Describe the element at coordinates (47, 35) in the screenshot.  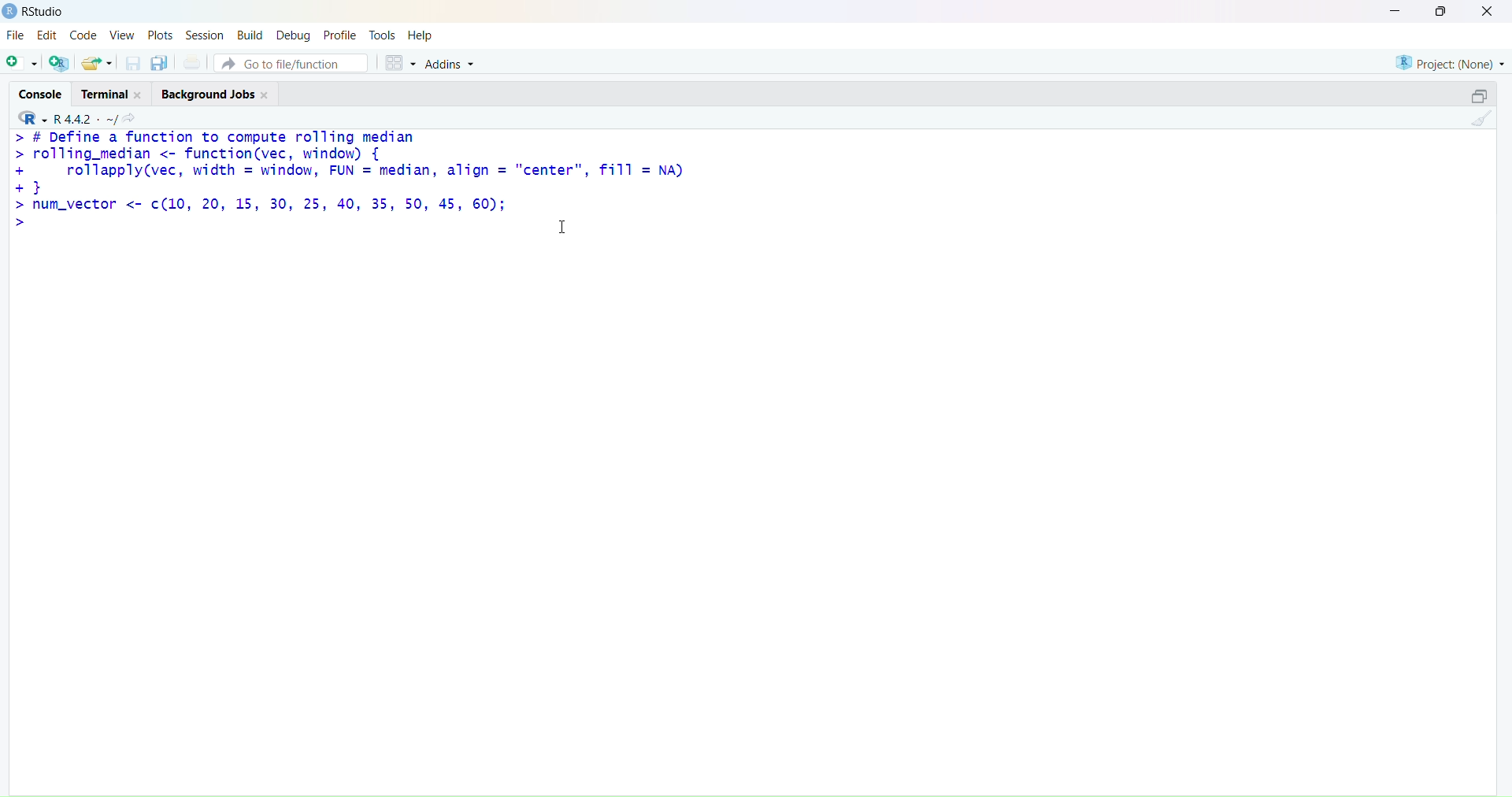
I see `edit` at that location.